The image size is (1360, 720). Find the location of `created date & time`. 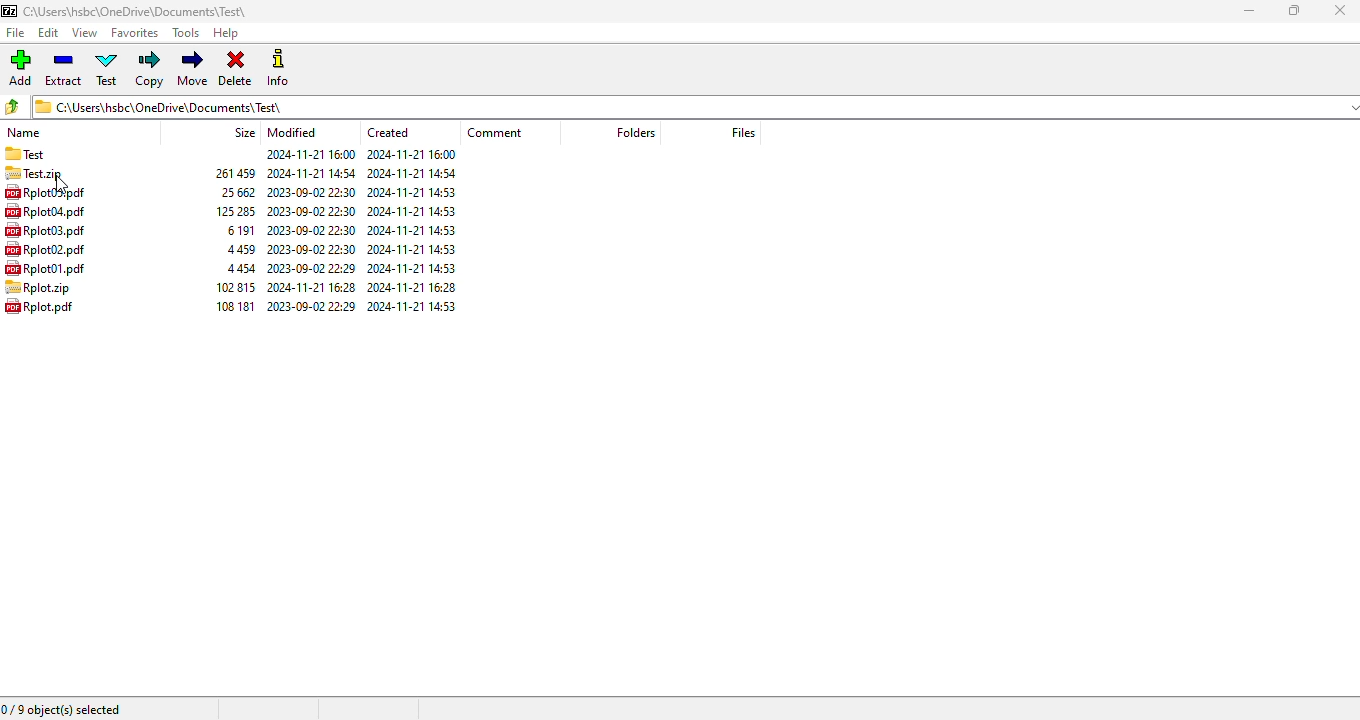

created date & time is located at coordinates (412, 286).